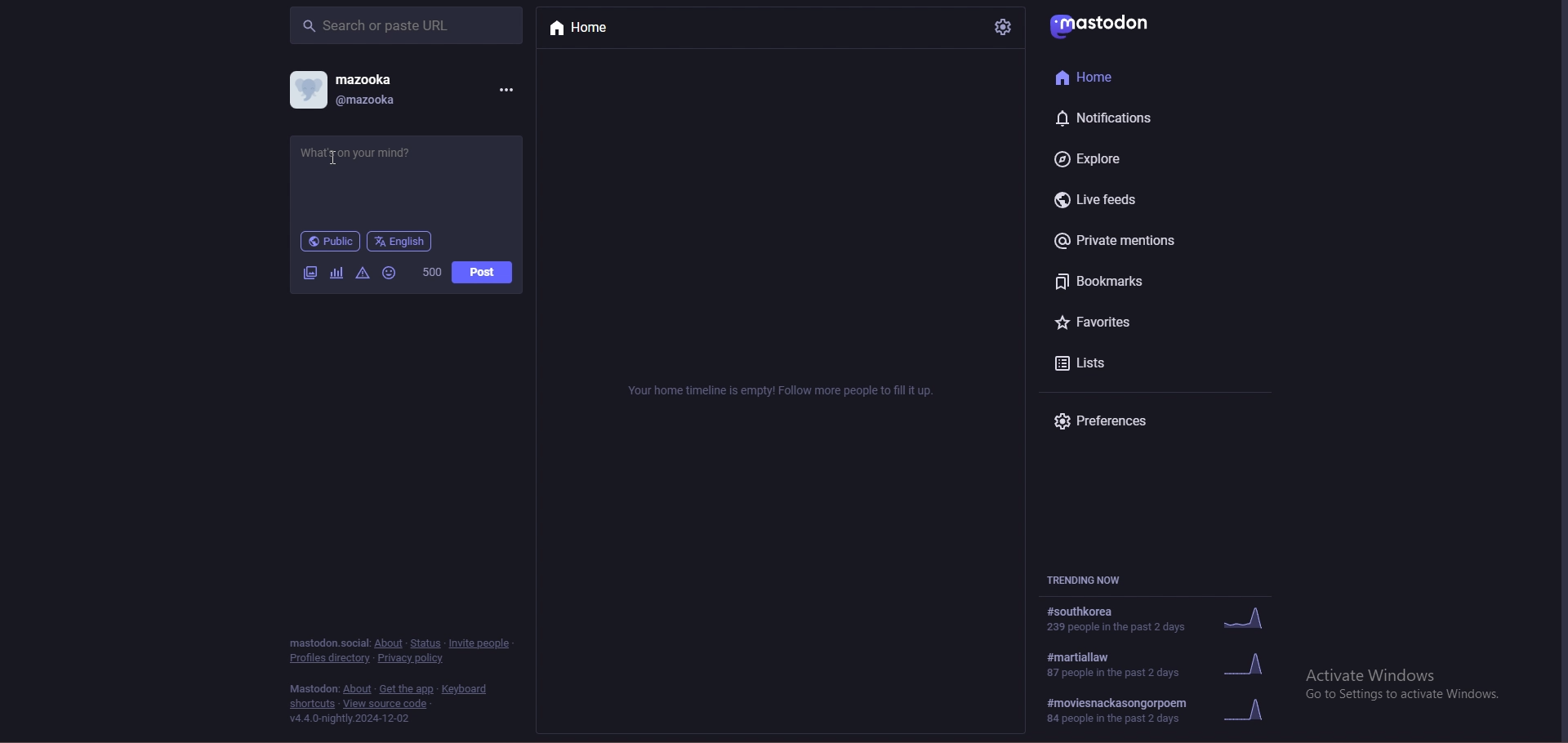 This screenshot has width=1568, height=743. What do you see at coordinates (307, 89) in the screenshot?
I see `profile` at bounding box center [307, 89].